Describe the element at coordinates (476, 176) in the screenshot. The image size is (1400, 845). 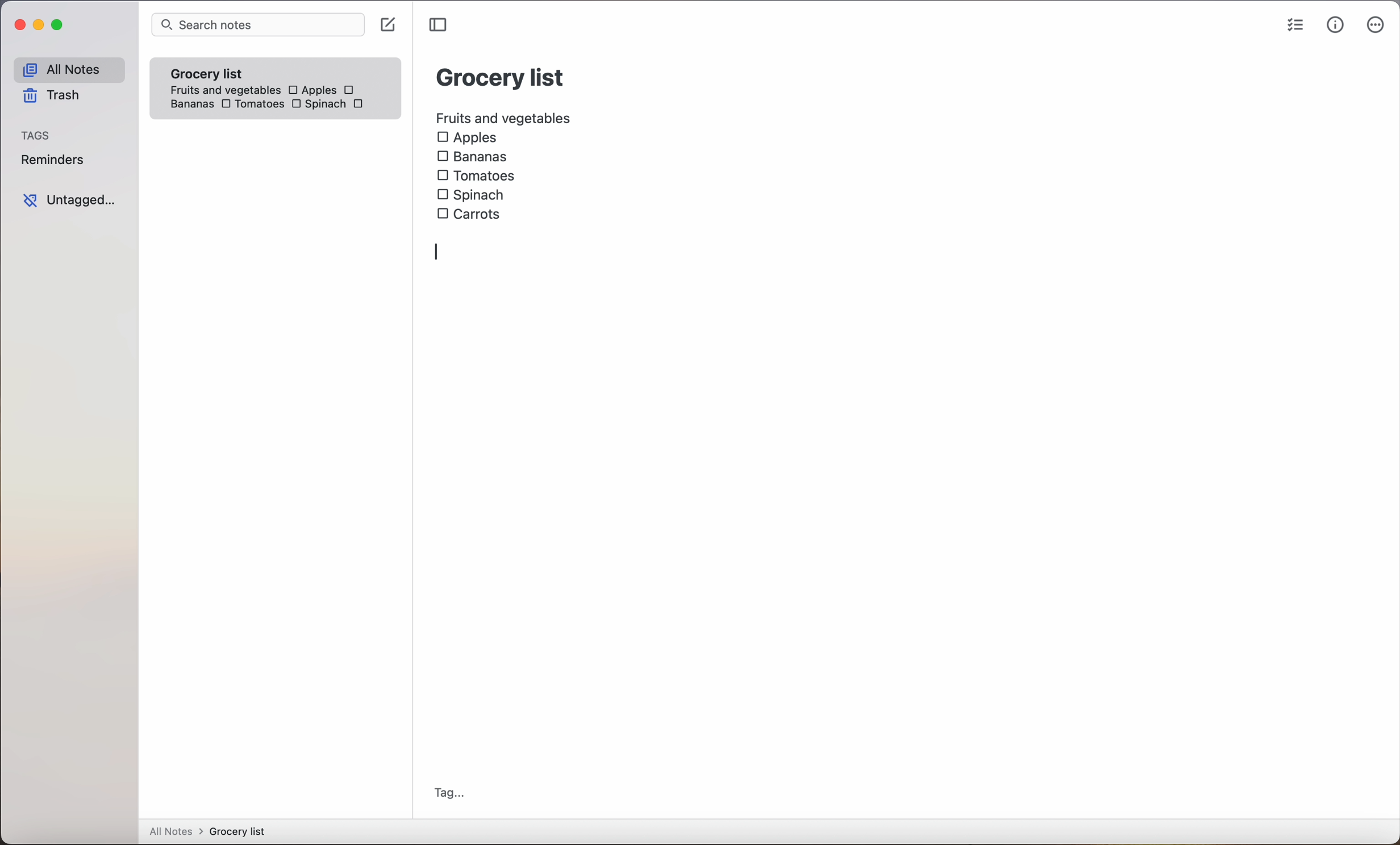
I see `Tomatoes checkbox` at that location.